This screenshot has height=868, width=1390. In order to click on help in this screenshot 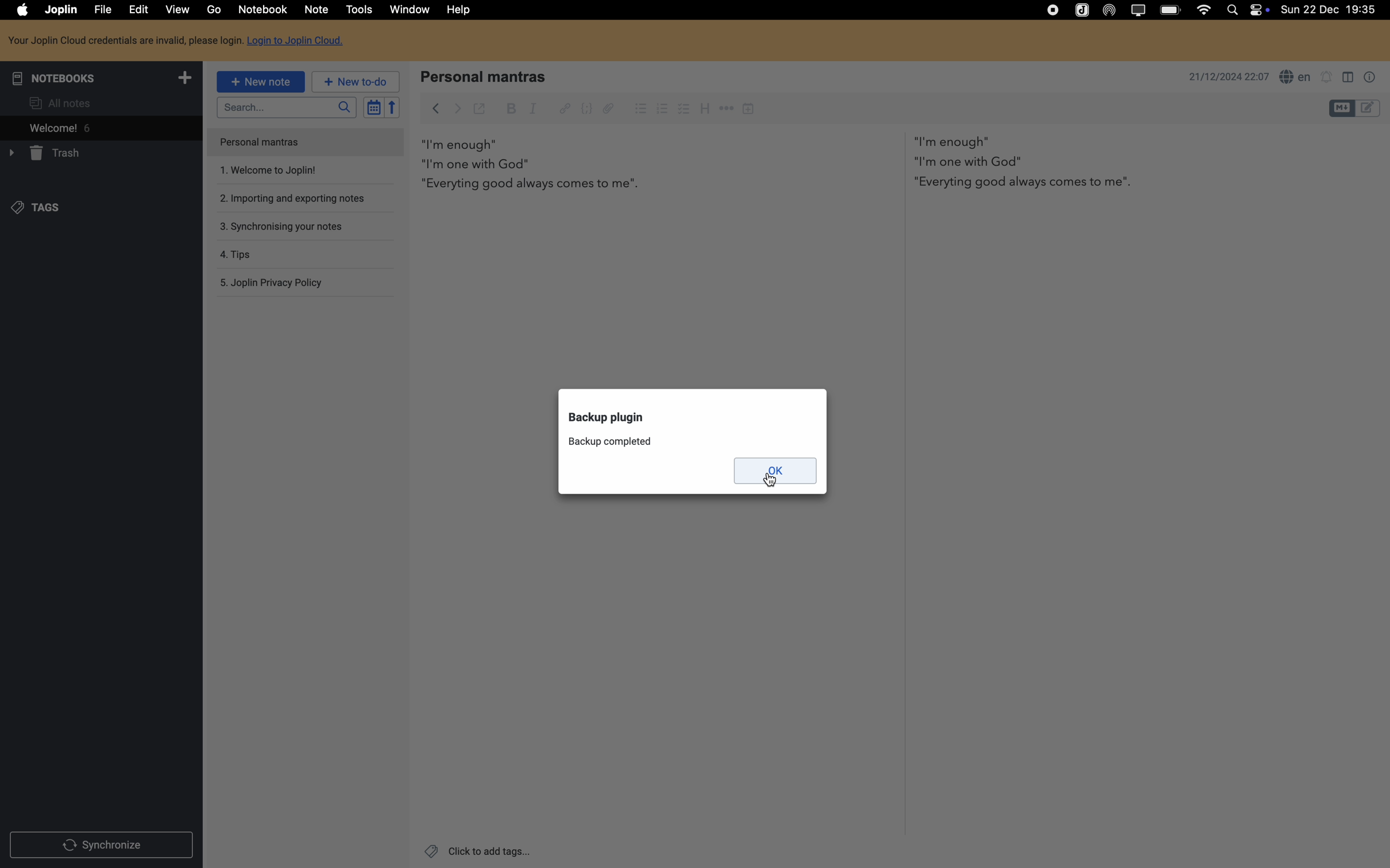, I will do `click(464, 11)`.